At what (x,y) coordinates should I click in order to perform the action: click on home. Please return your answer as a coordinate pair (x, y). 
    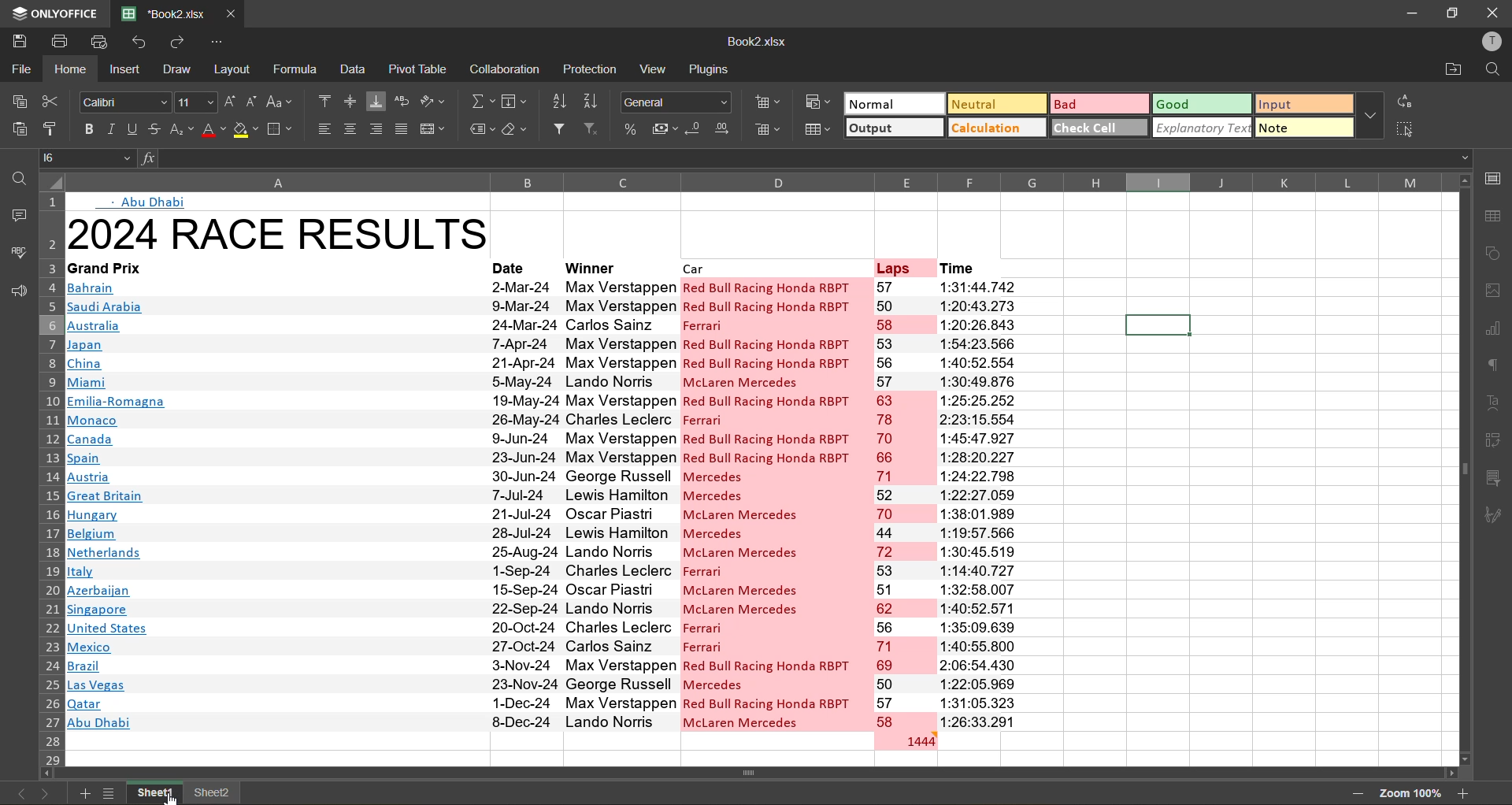
    Looking at the image, I should click on (69, 69).